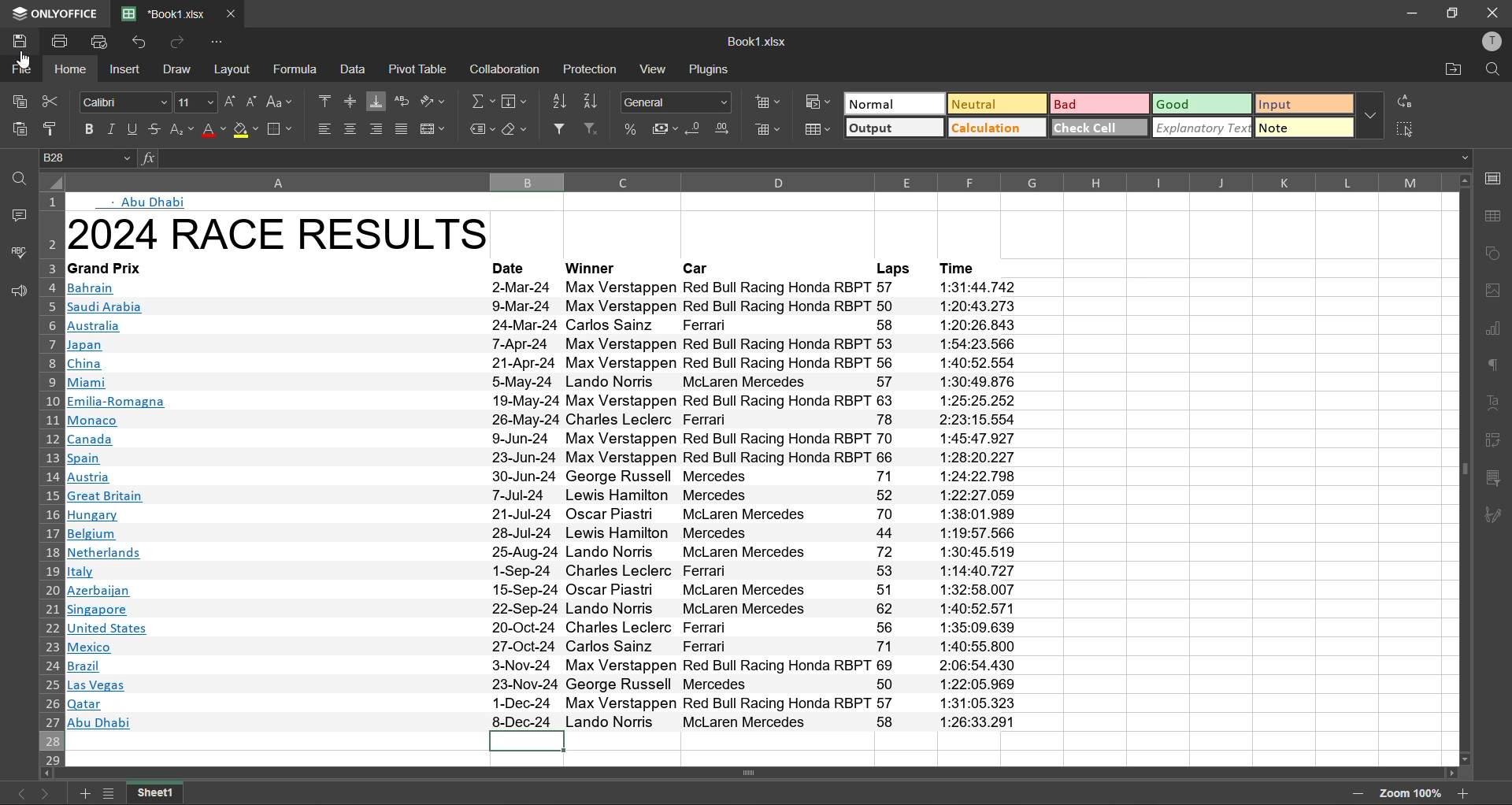 The height and width of the screenshot is (805, 1512). What do you see at coordinates (16, 103) in the screenshot?
I see `copy` at bounding box center [16, 103].